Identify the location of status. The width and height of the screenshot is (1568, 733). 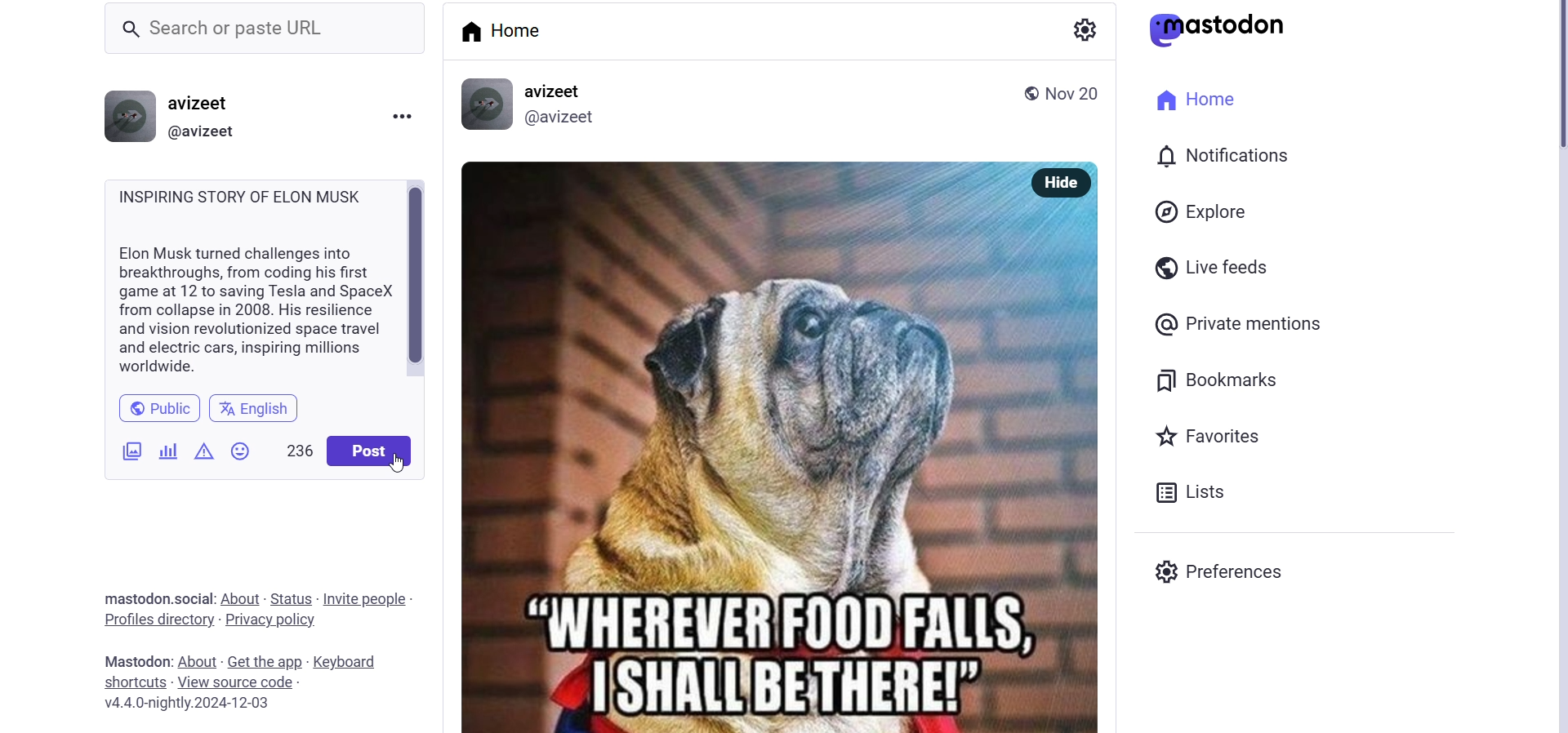
(289, 598).